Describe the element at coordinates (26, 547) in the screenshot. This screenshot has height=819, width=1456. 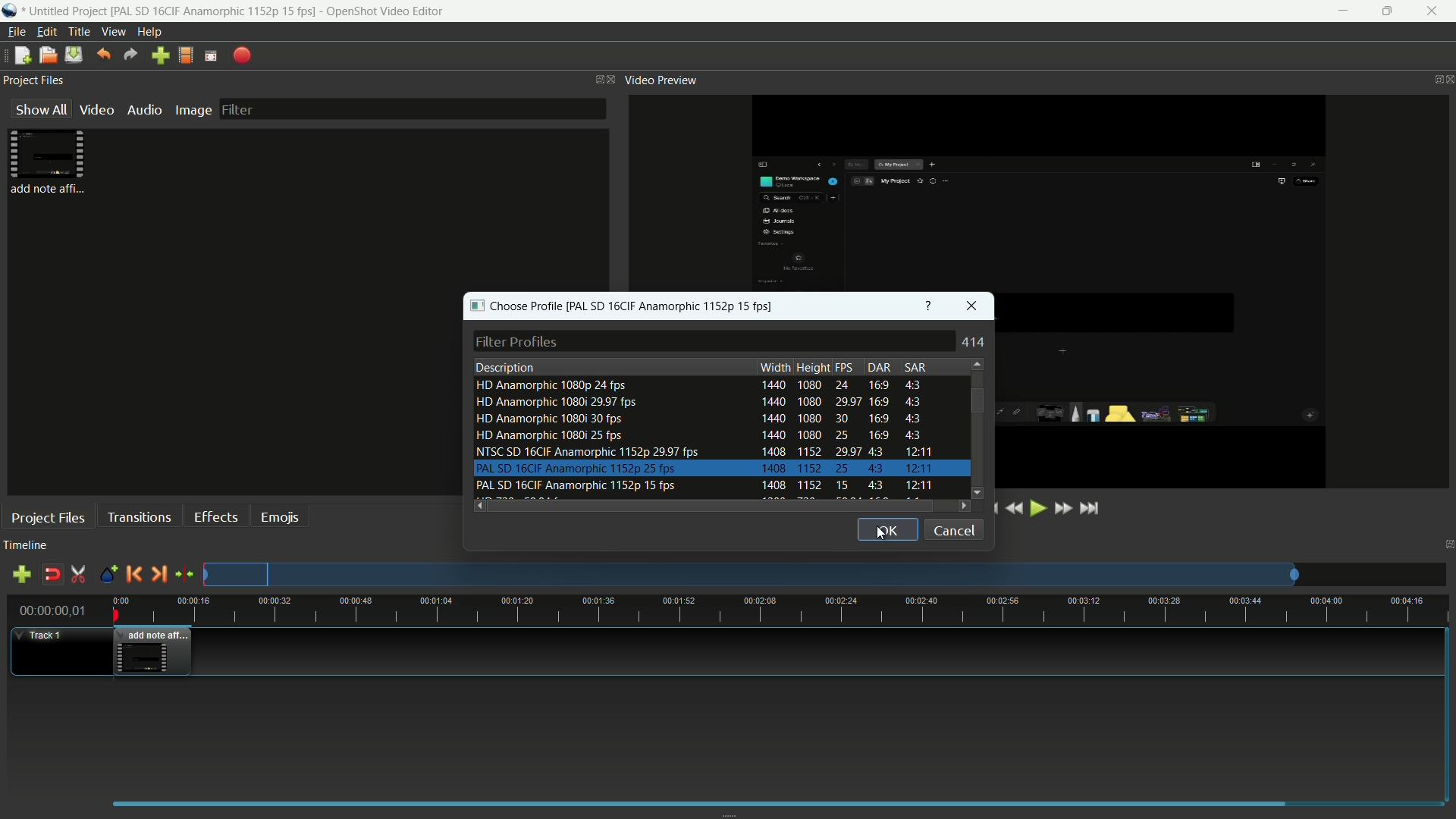
I see `timeline` at that location.